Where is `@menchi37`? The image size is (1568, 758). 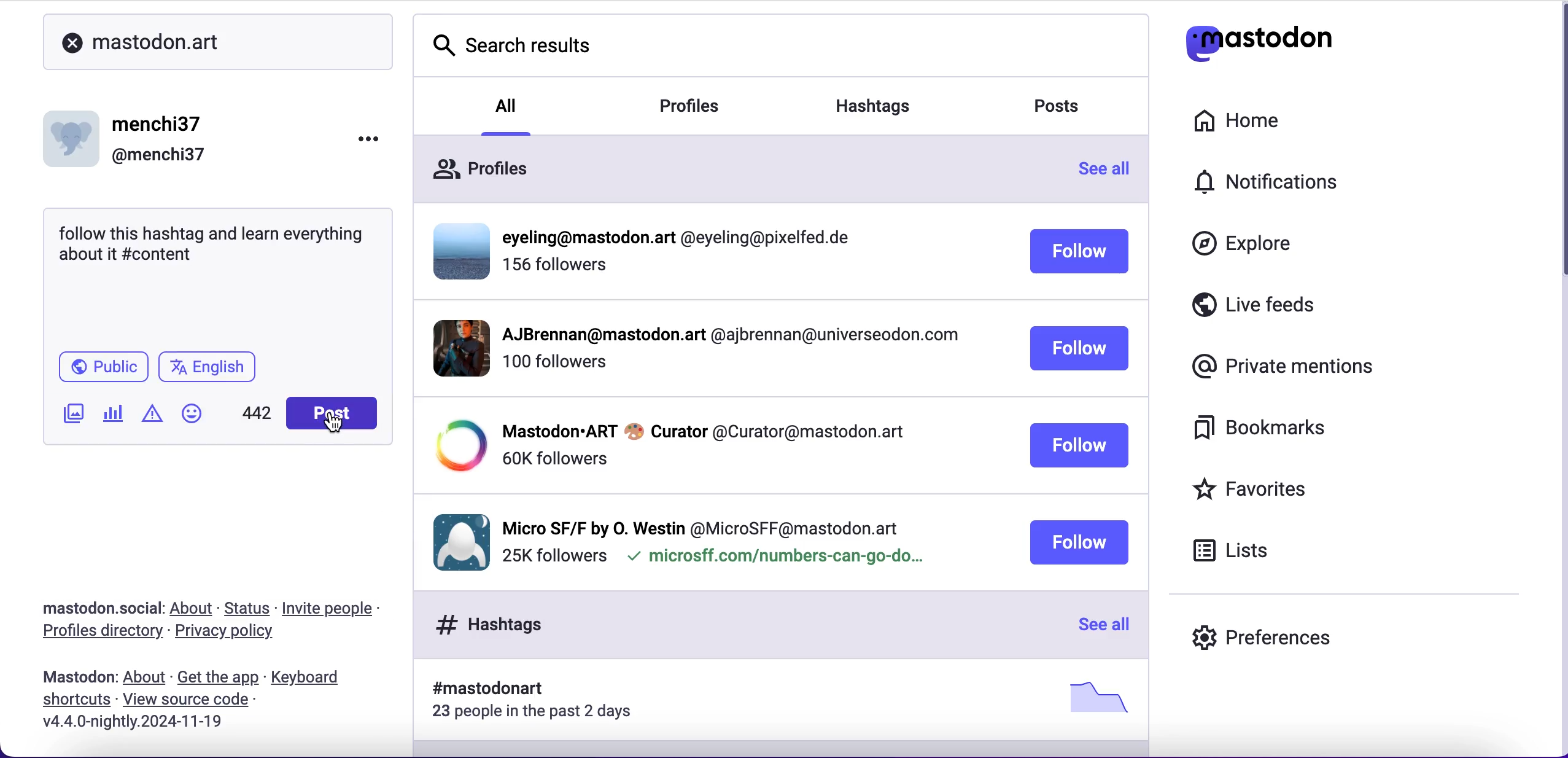
@menchi37 is located at coordinates (159, 156).